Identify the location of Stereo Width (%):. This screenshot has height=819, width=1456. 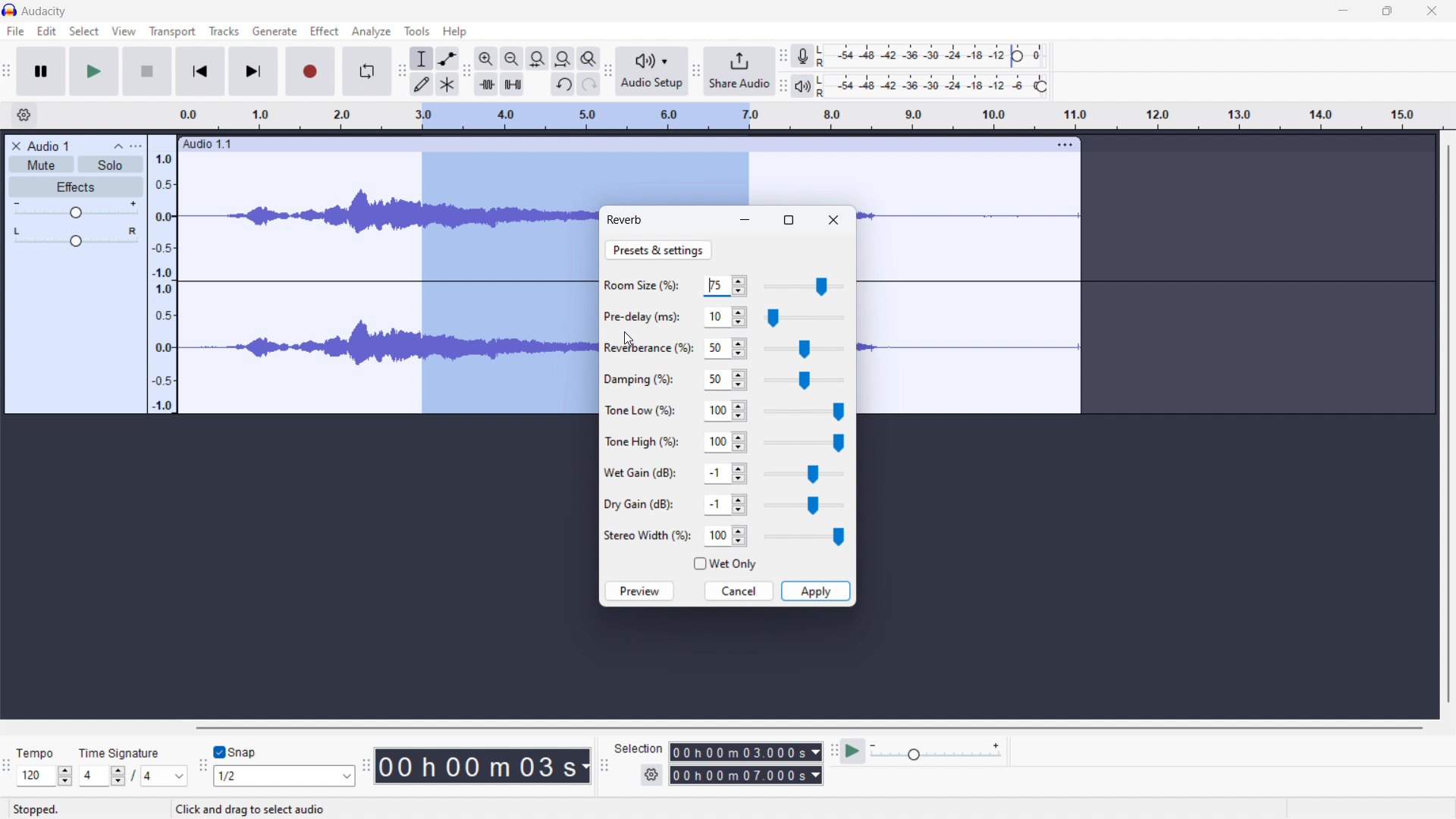
(649, 537).